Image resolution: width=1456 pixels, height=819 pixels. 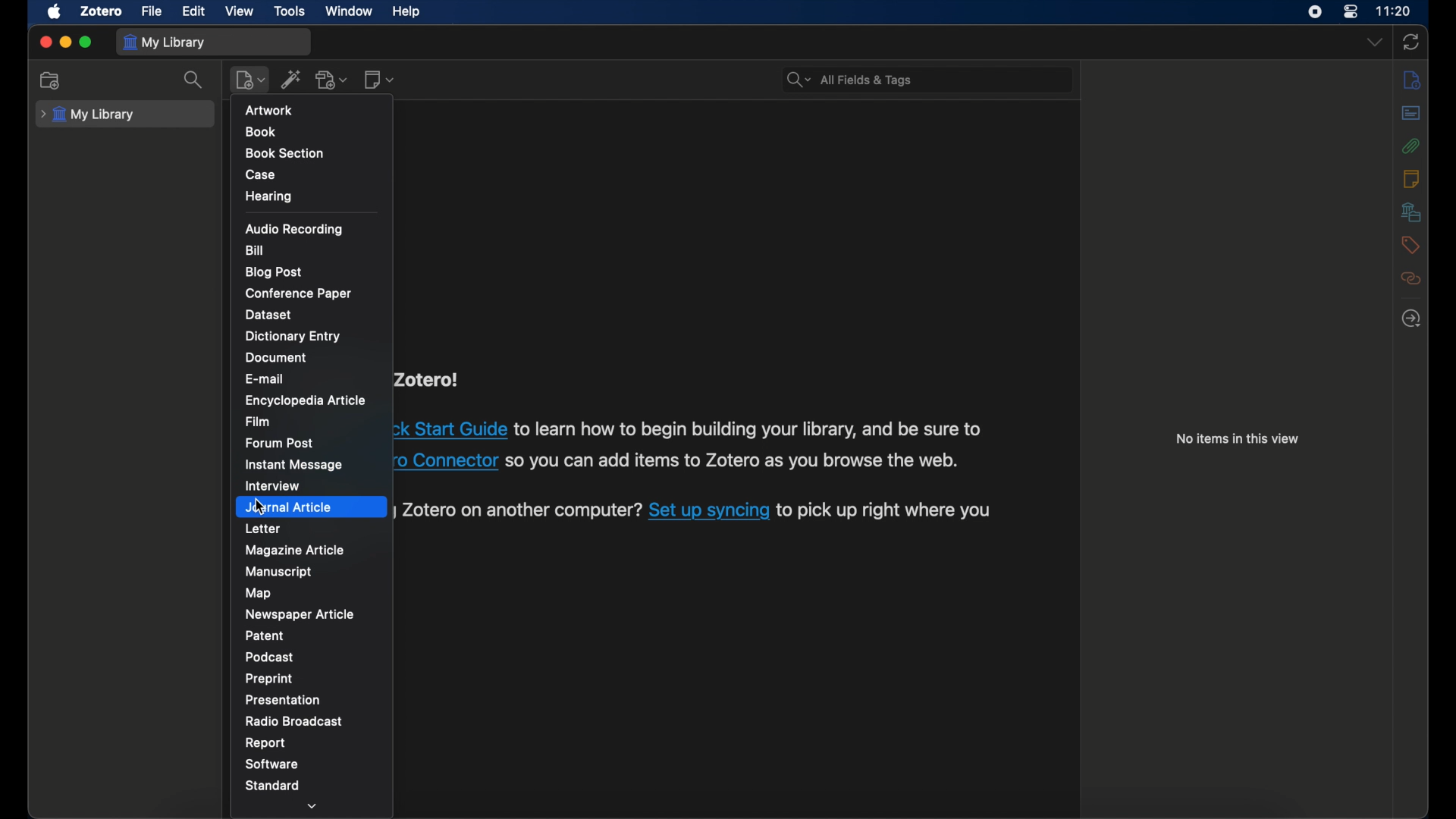 What do you see at coordinates (283, 699) in the screenshot?
I see `presentation` at bounding box center [283, 699].